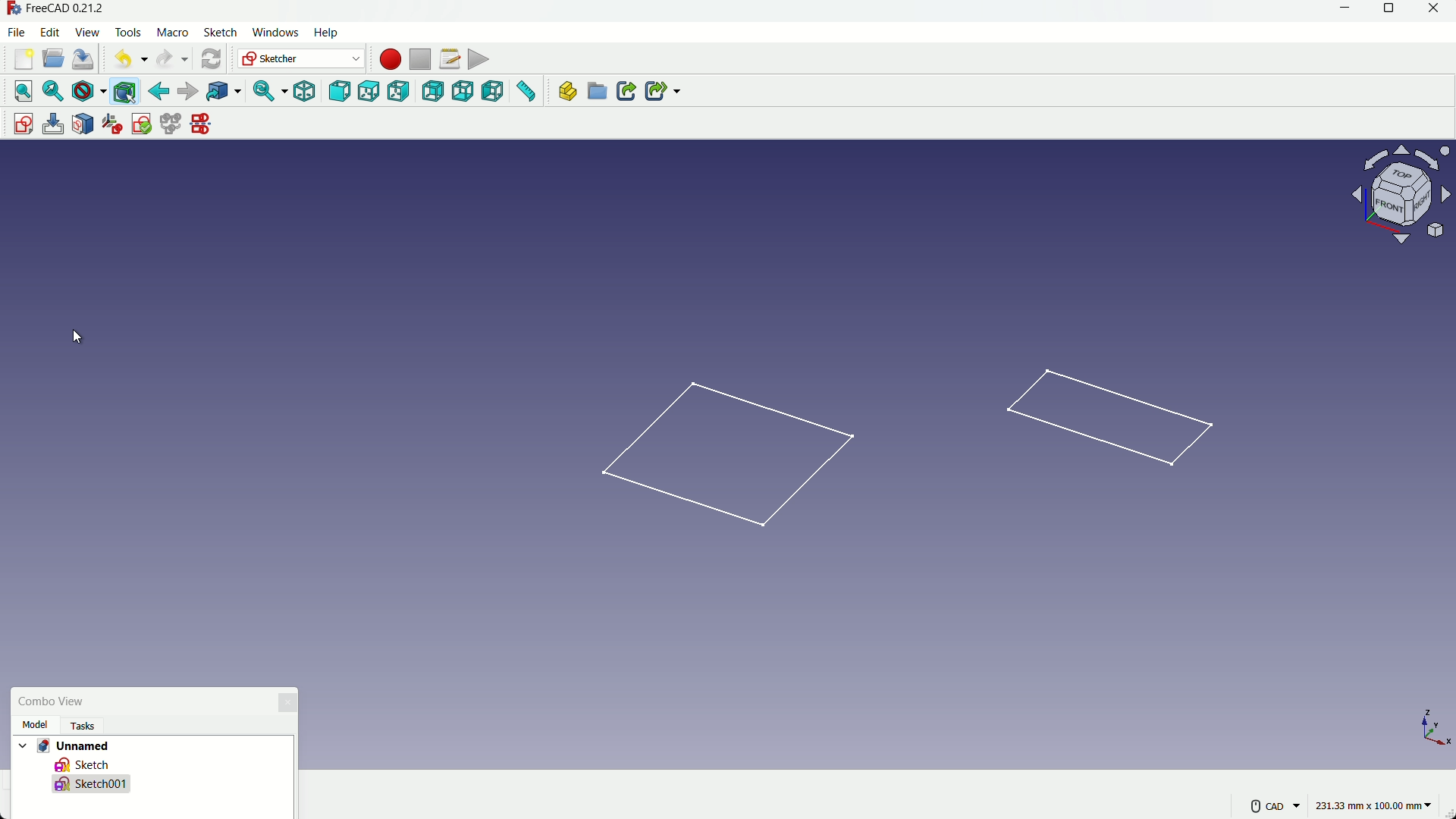 The image size is (1456, 819). I want to click on refresh, so click(213, 58).